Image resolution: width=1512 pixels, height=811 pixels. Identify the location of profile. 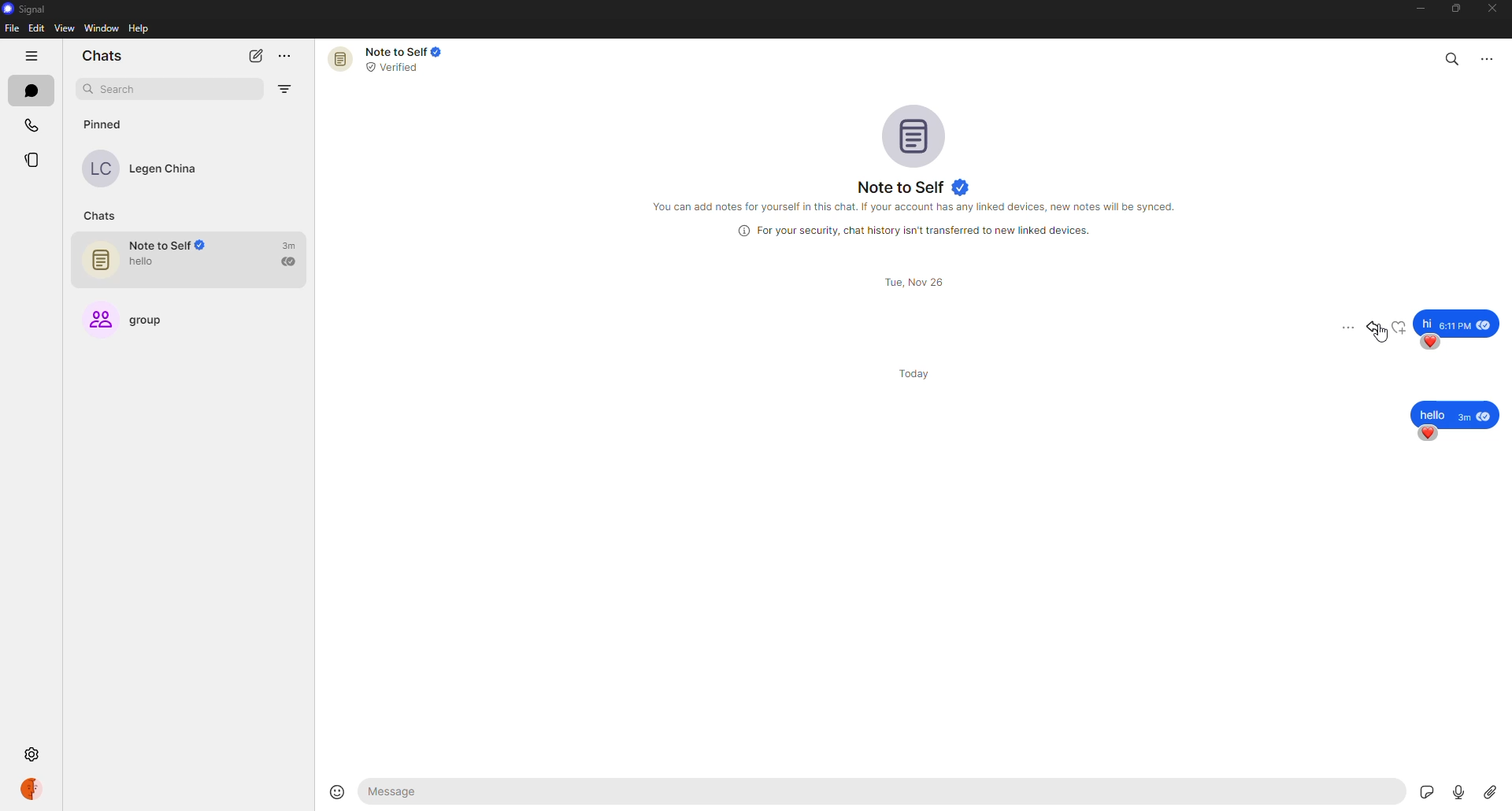
(38, 788).